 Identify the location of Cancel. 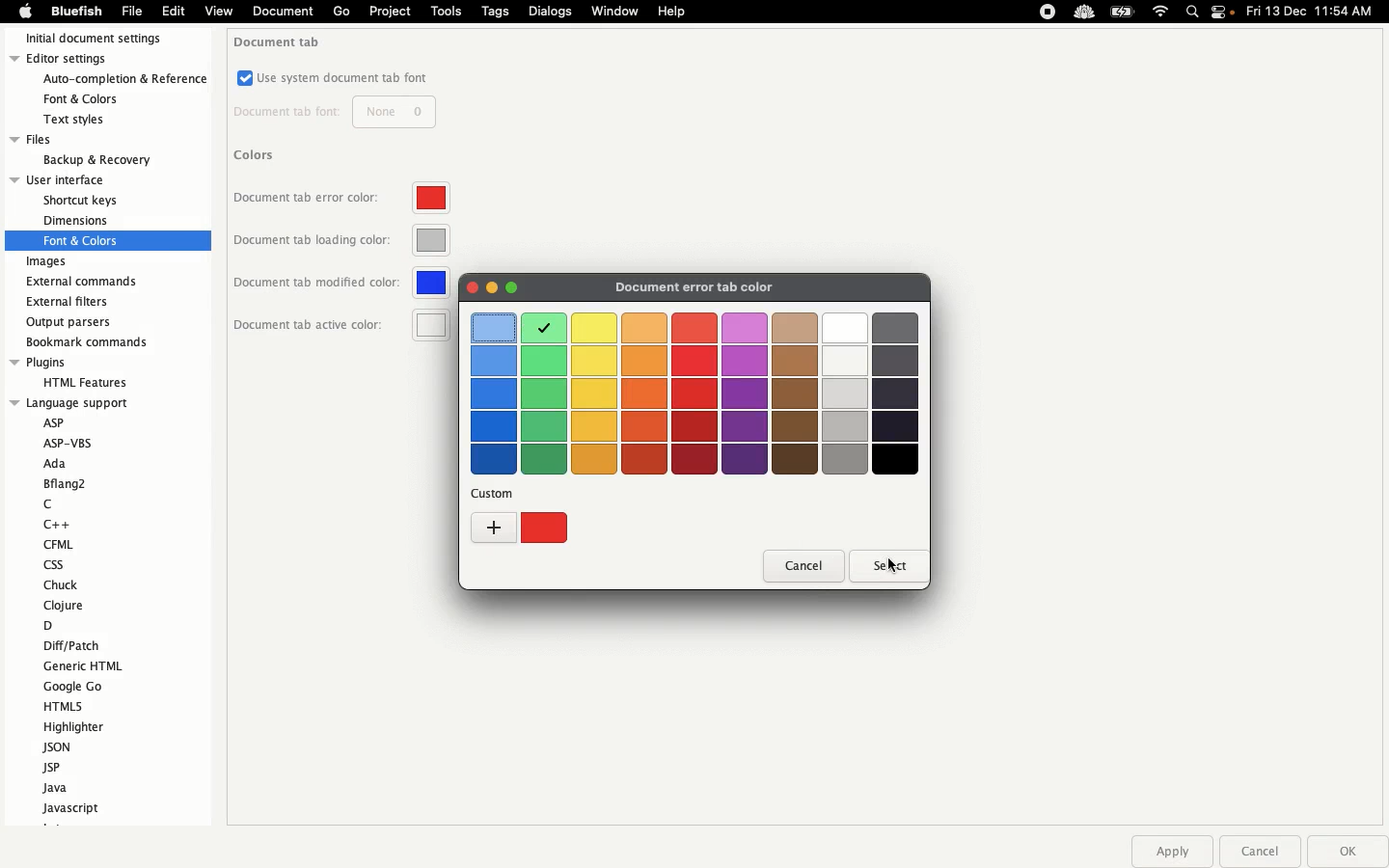
(1259, 851).